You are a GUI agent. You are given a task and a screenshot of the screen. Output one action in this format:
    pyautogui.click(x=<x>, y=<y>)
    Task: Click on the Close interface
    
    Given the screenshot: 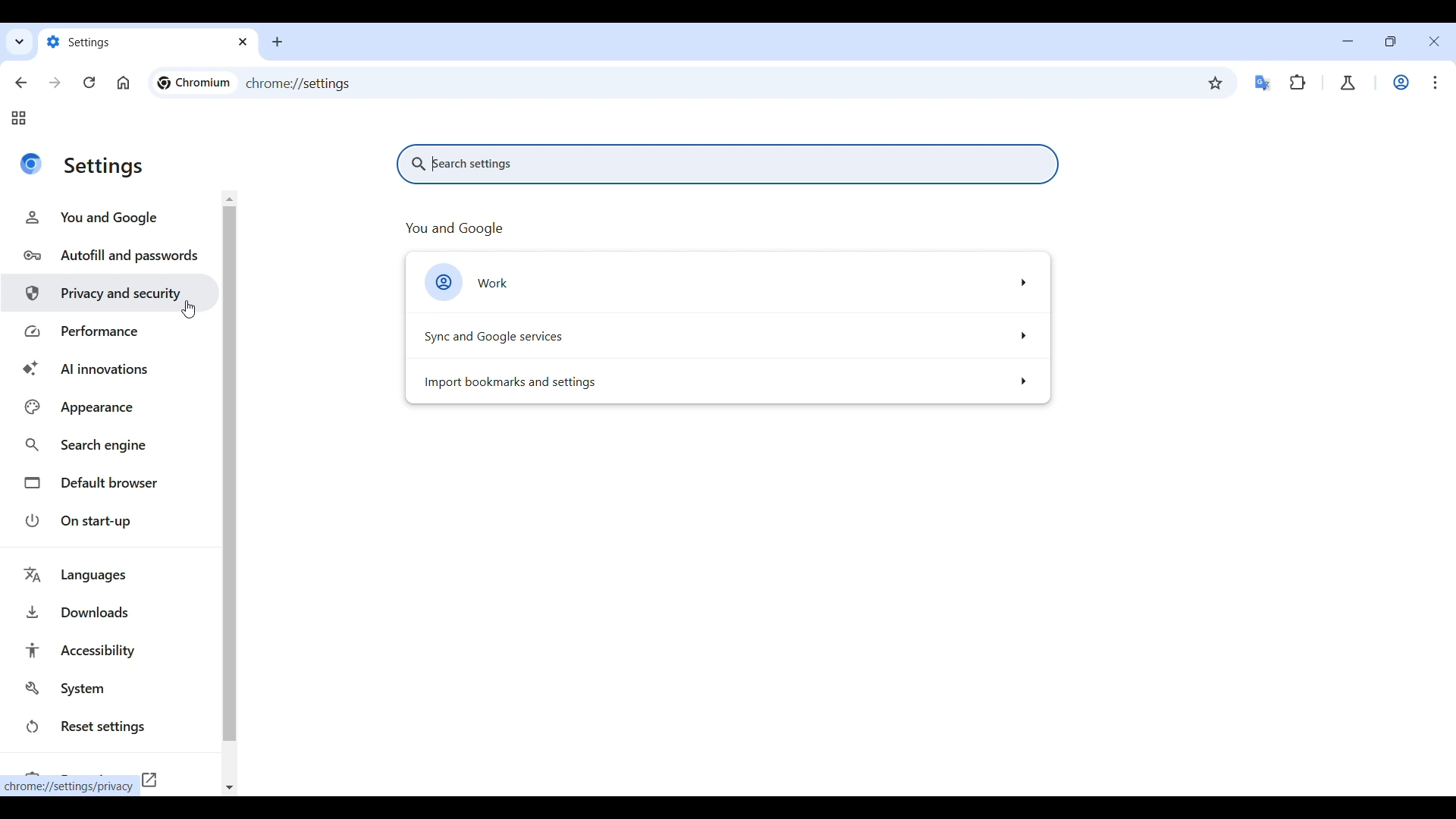 What is the action you would take?
    pyautogui.click(x=1434, y=42)
    